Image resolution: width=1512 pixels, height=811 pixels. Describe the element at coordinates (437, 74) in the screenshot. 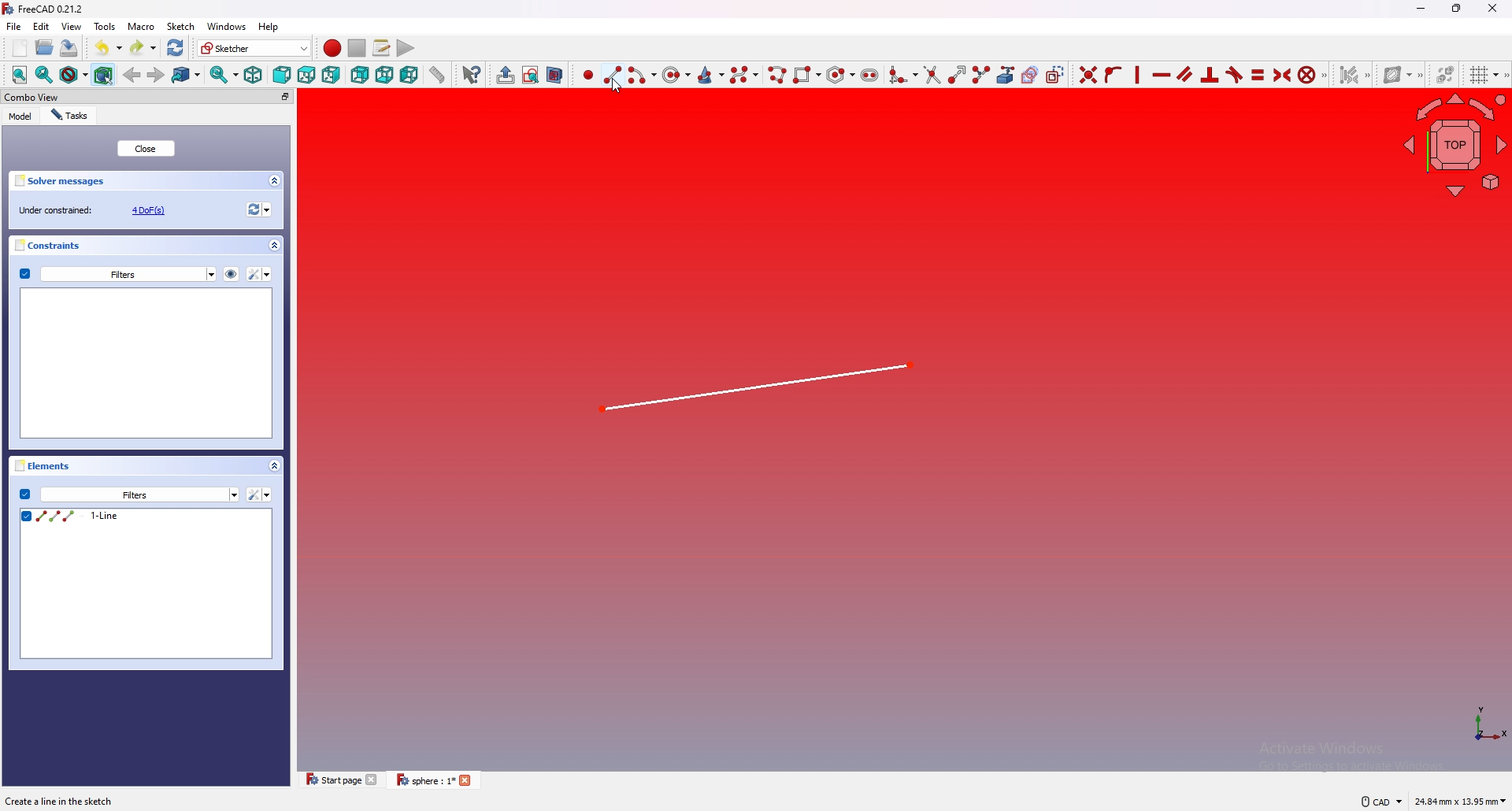

I see `Measure distance` at that location.